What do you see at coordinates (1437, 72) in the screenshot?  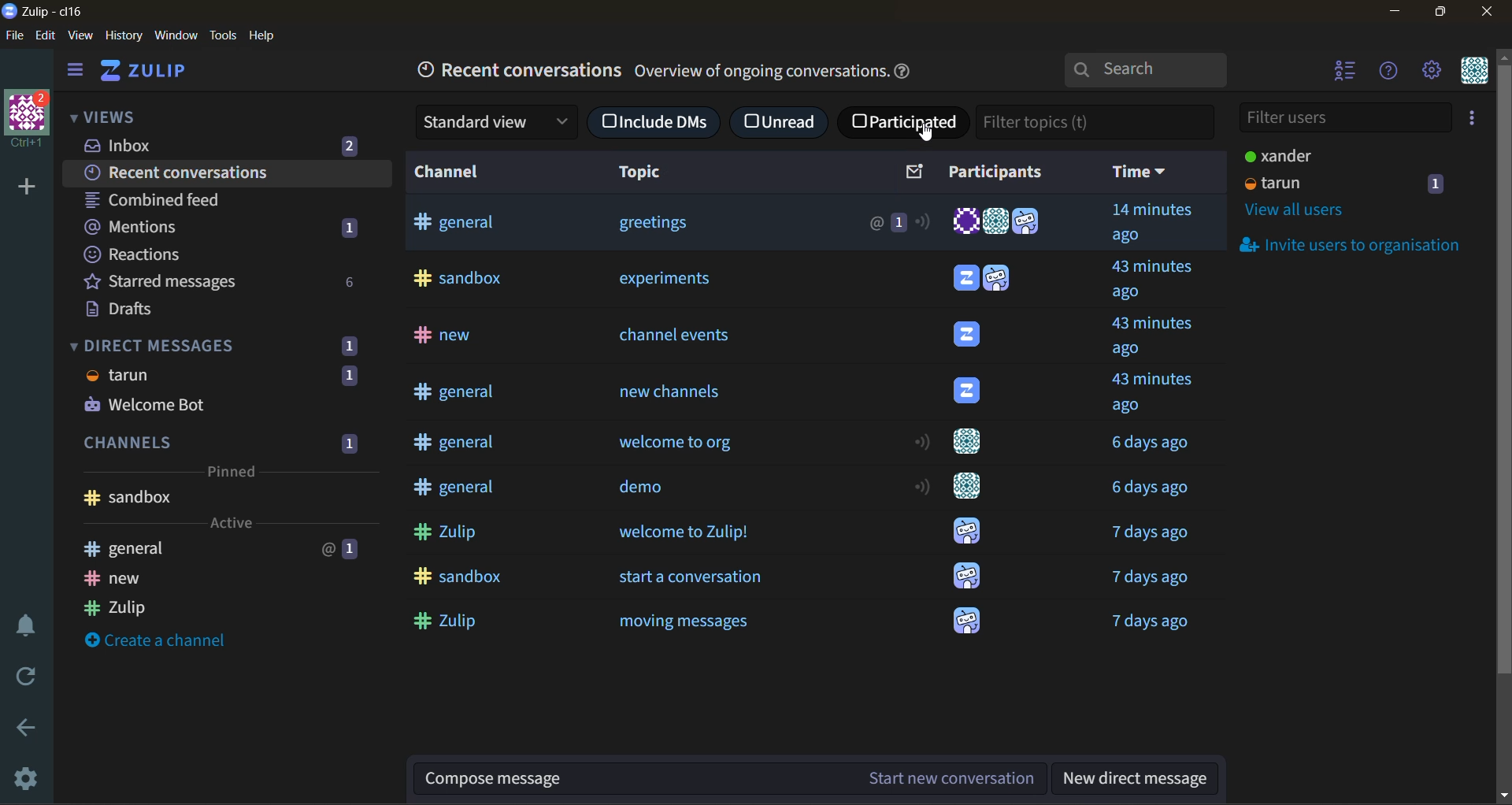 I see `main menu` at bounding box center [1437, 72].